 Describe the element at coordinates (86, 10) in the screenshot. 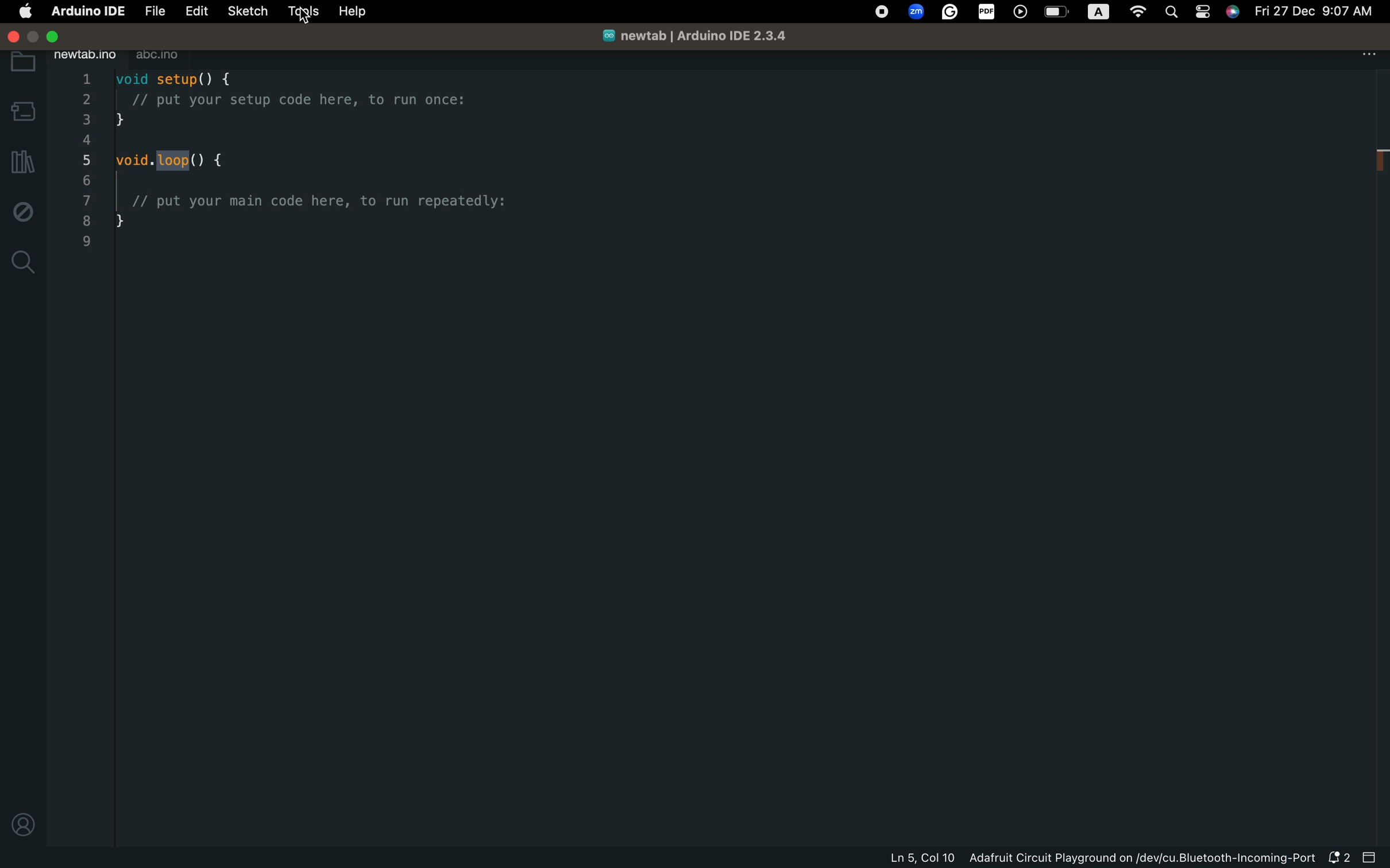

I see `Arduino IDE` at that location.